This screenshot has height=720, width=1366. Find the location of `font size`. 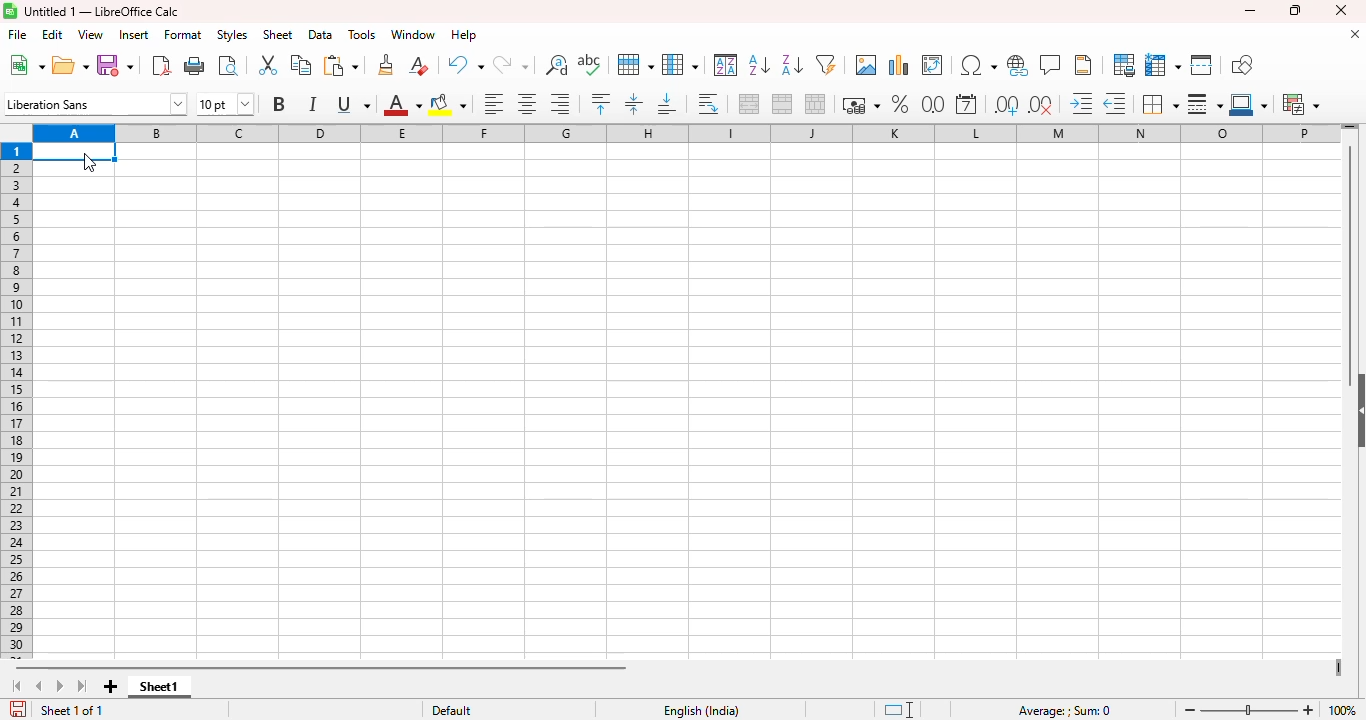

font size is located at coordinates (225, 104).